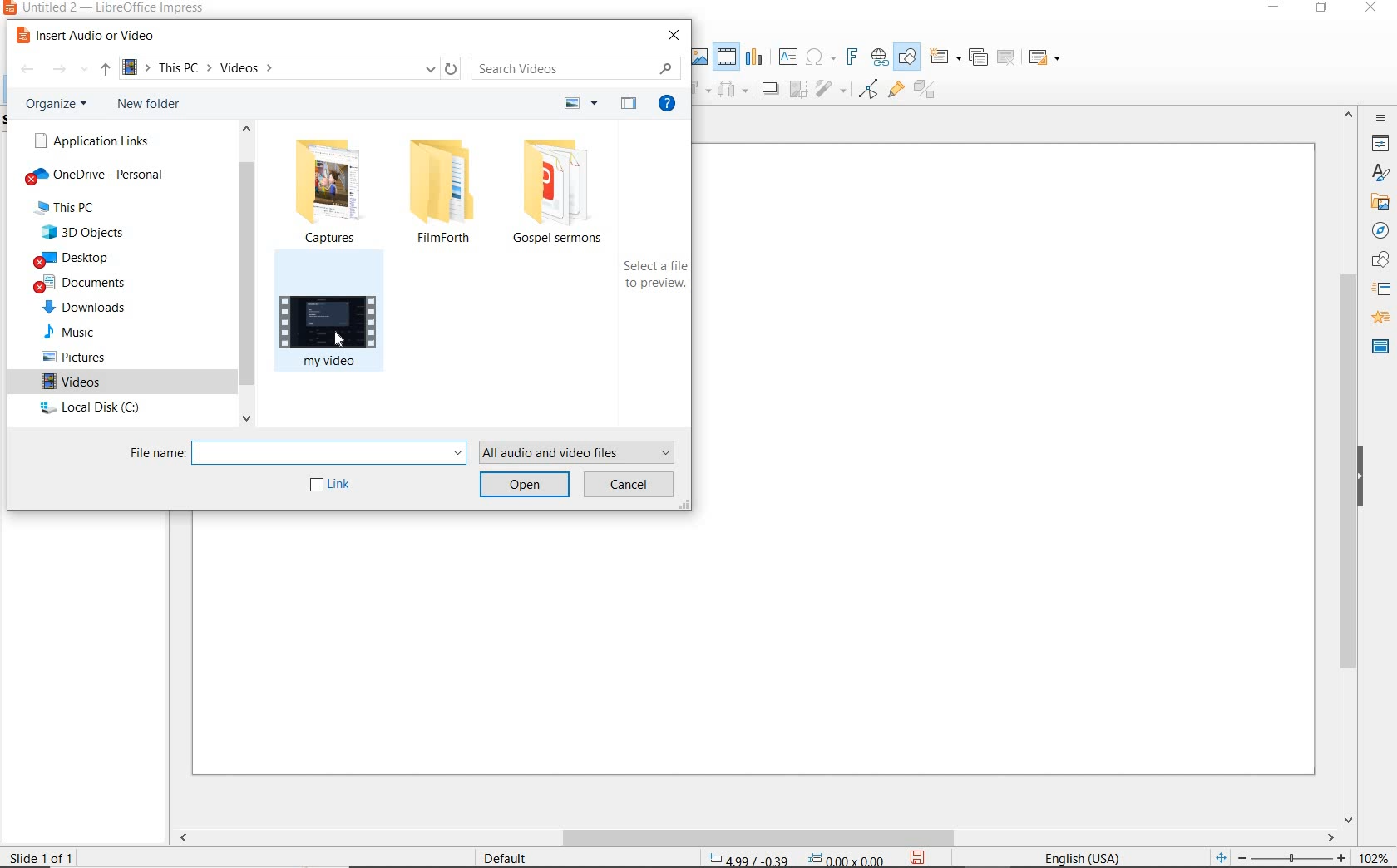 The image size is (1397, 868). What do you see at coordinates (27, 70) in the screenshot?
I see `BACK` at bounding box center [27, 70].